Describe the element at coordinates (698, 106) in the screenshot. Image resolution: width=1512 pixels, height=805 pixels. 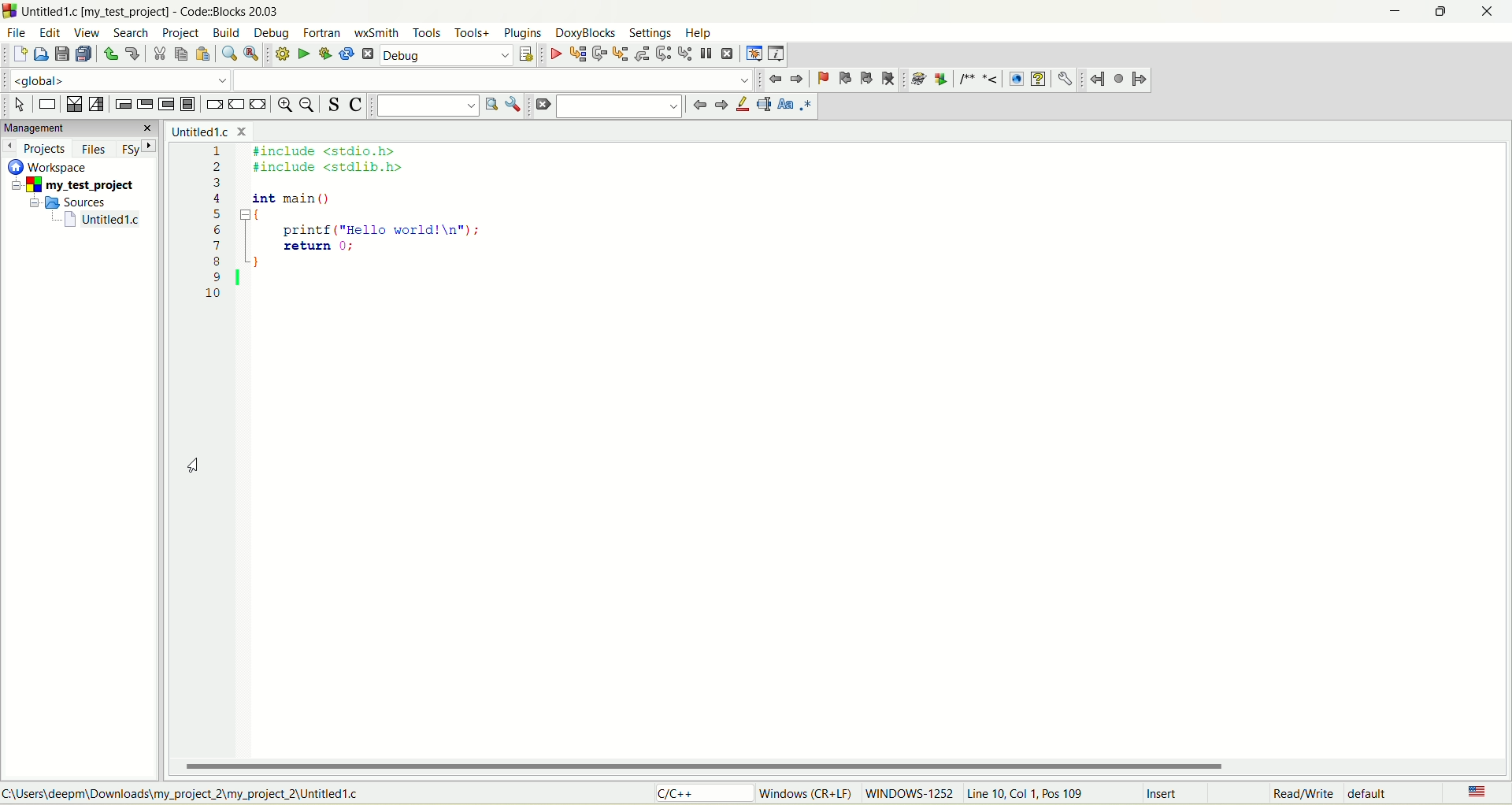
I see `go back` at that location.